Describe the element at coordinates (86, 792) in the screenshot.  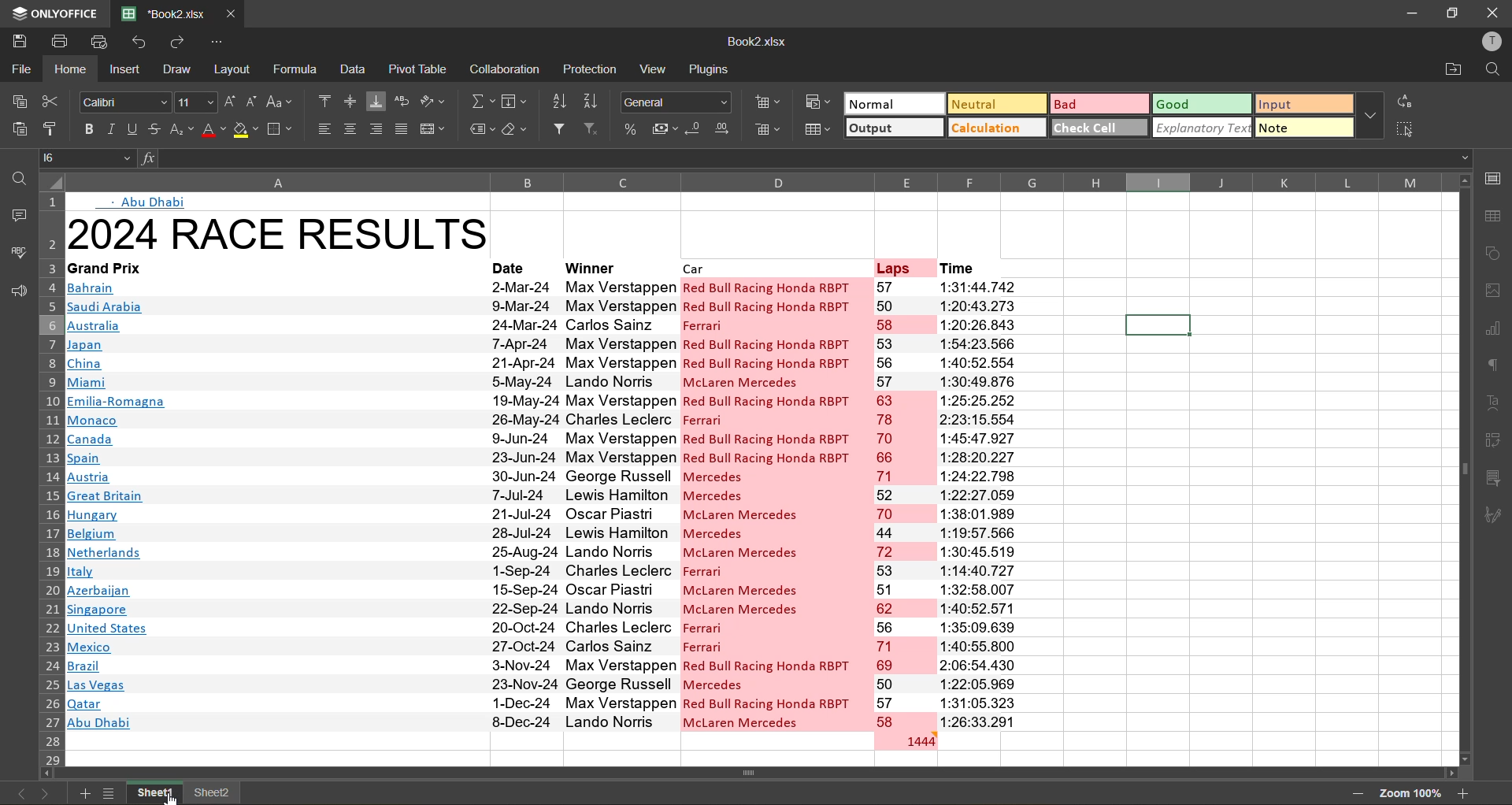
I see `add sheet` at that location.